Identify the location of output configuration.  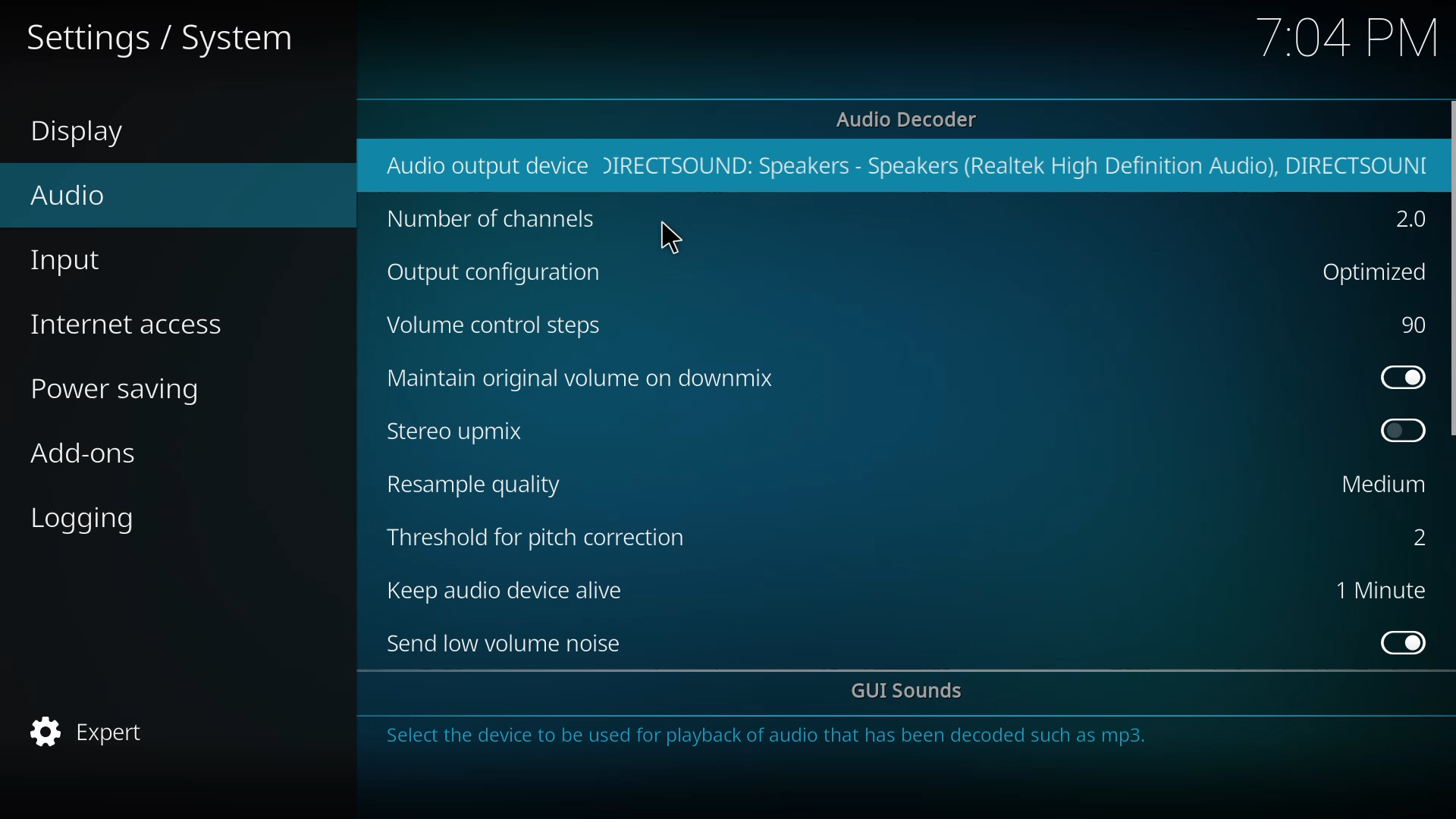
(503, 275).